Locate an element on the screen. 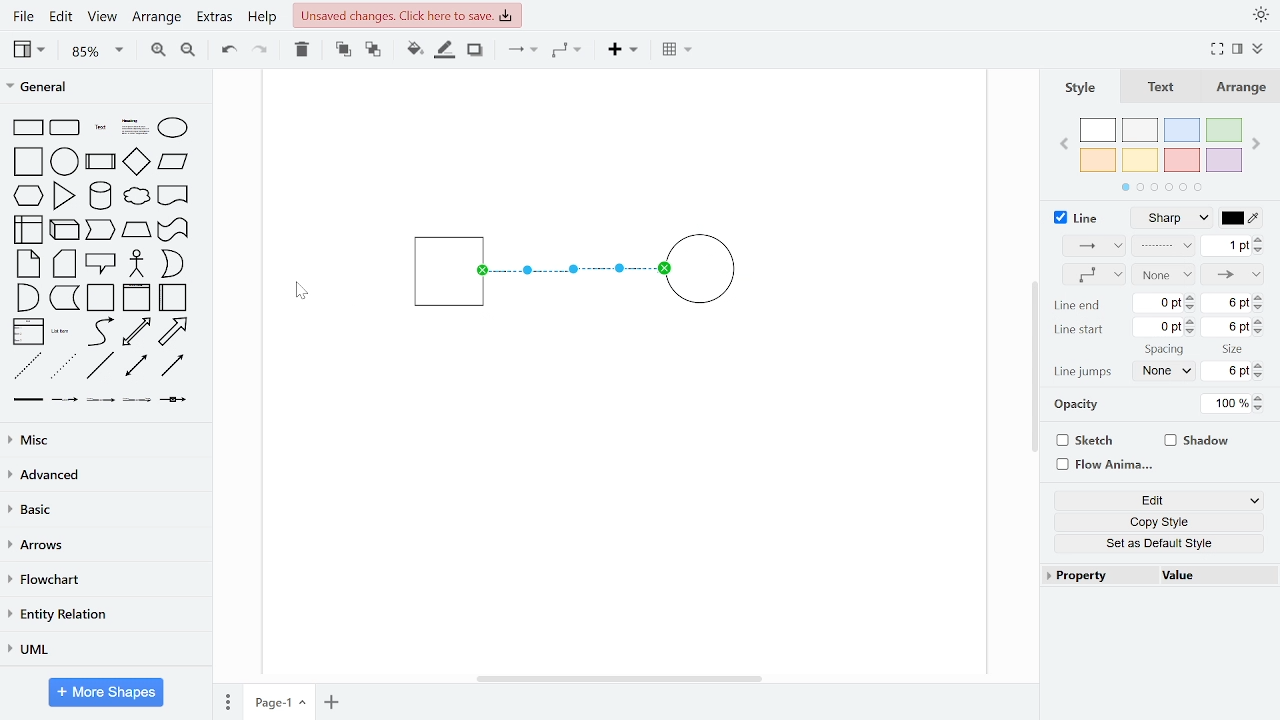 The image size is (1280, 720). horizontal scrollbar is located at coordinates (622, 678).